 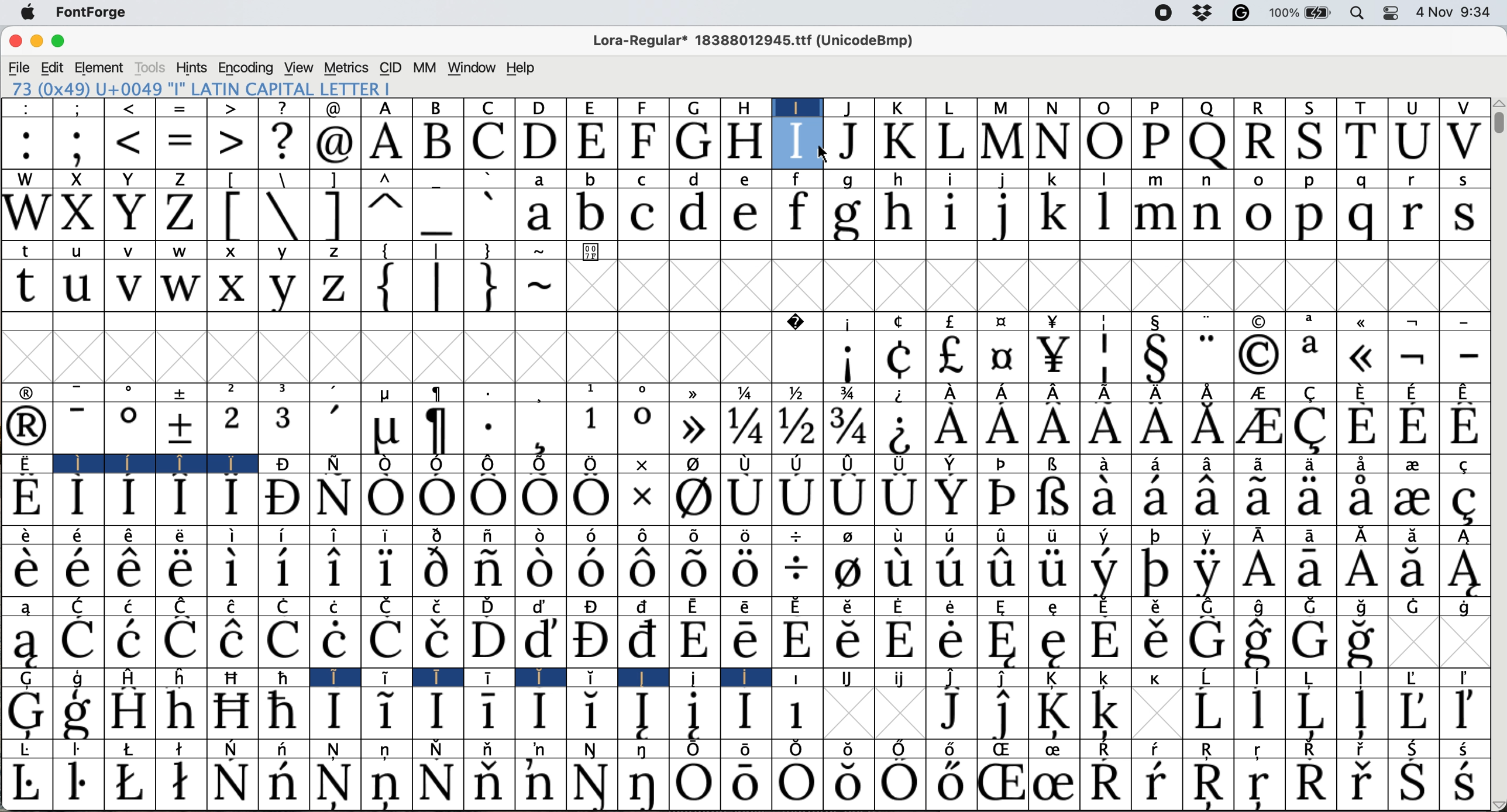 I want to click on D, so click(x=540, y=142).